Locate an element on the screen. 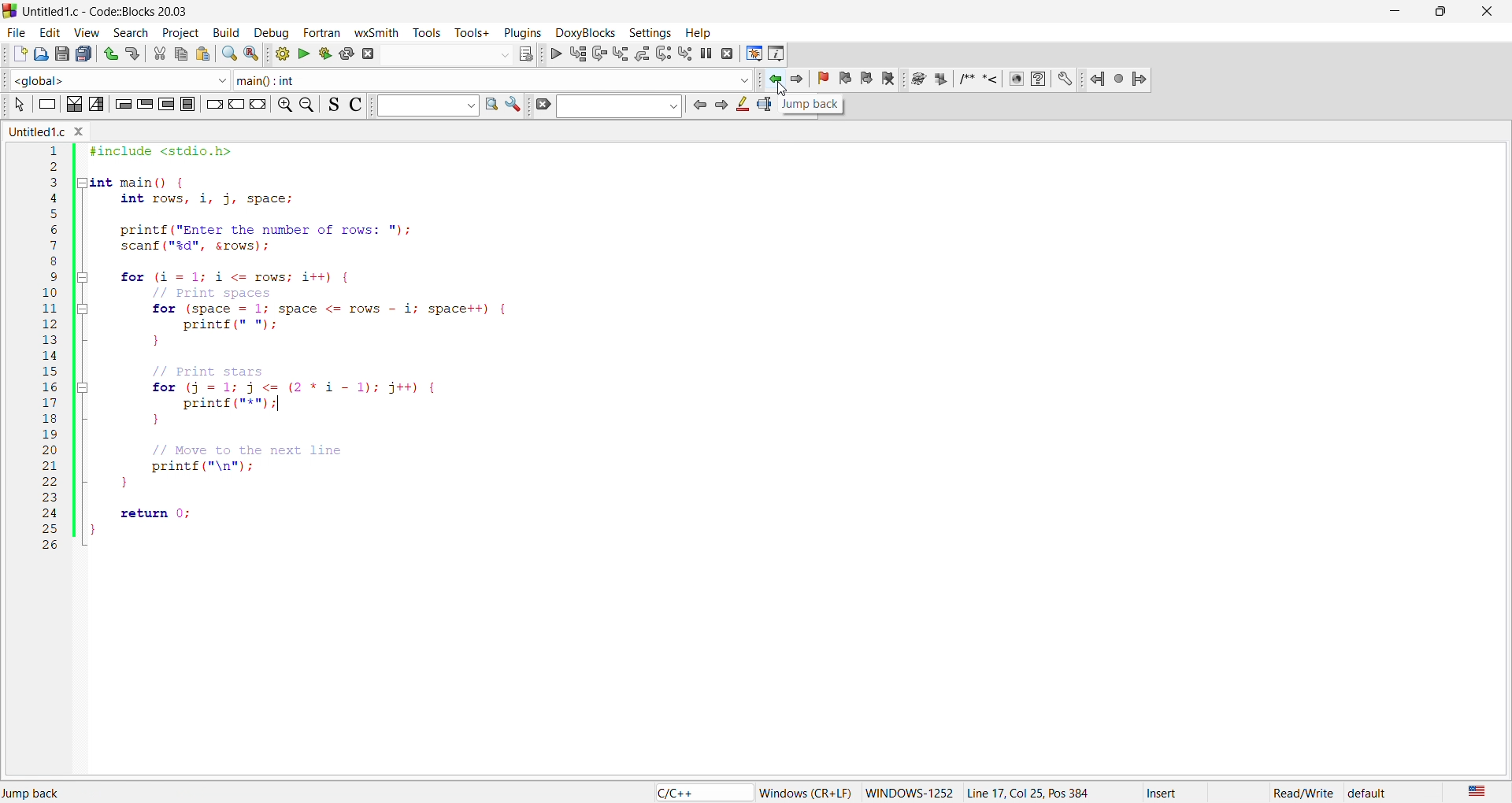  icon is located at coordinates (141, 105).